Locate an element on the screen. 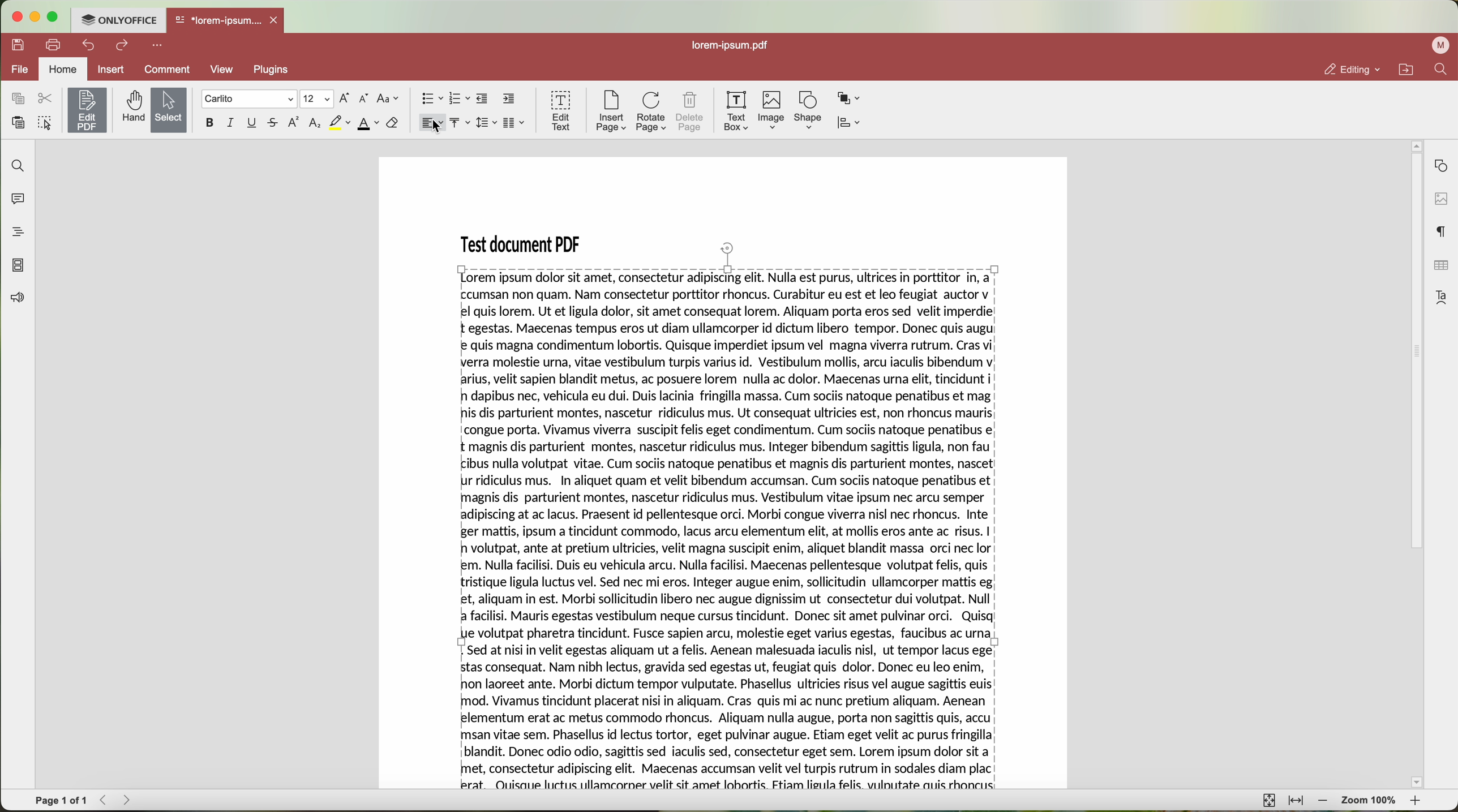  redo is located at coordinates (123, 45).